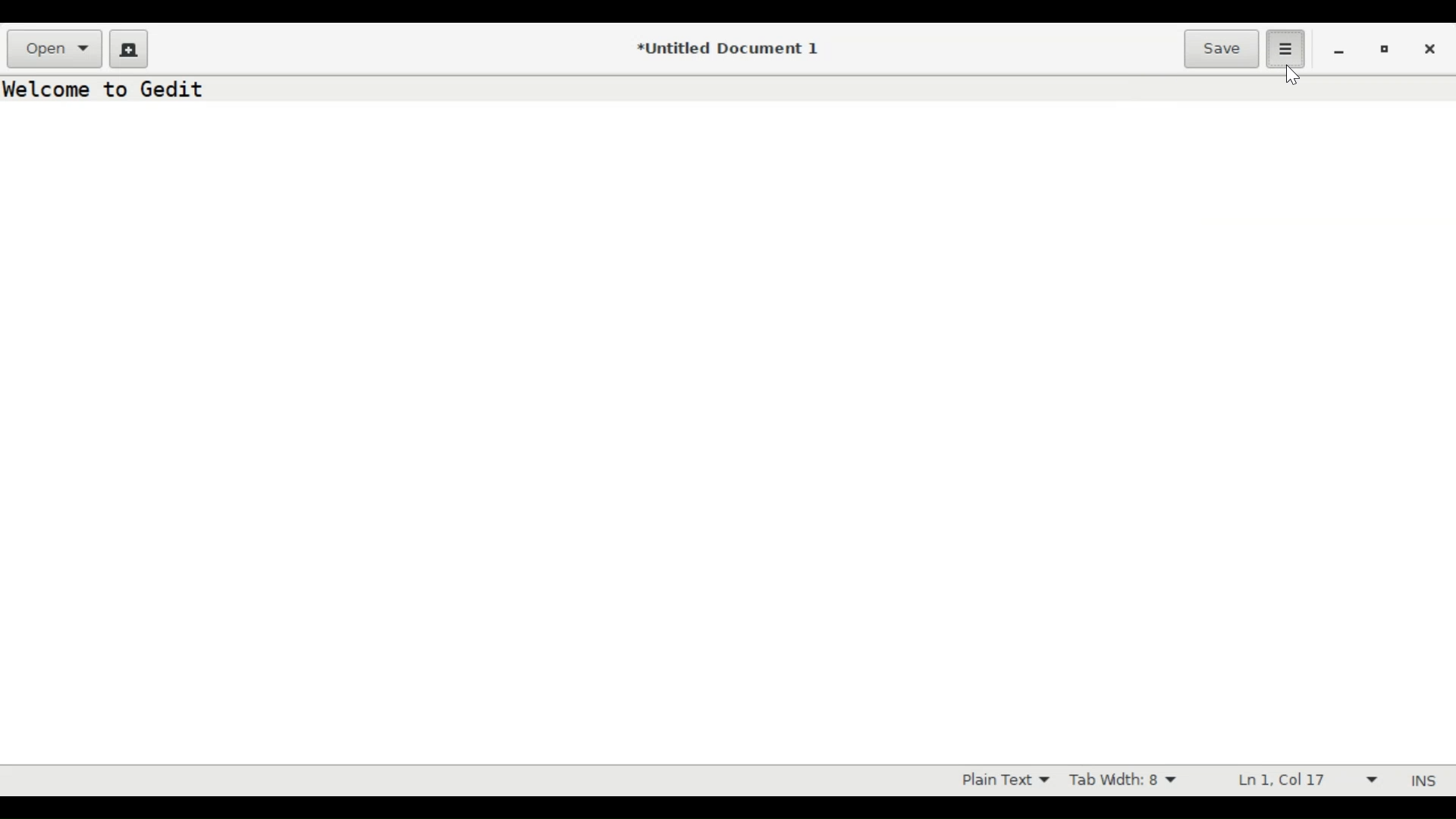 This screenshot has height=819, width=1456. Describe the element at coordinates (1129, 780) in the screenshot. I see `Tab Width` at that location.